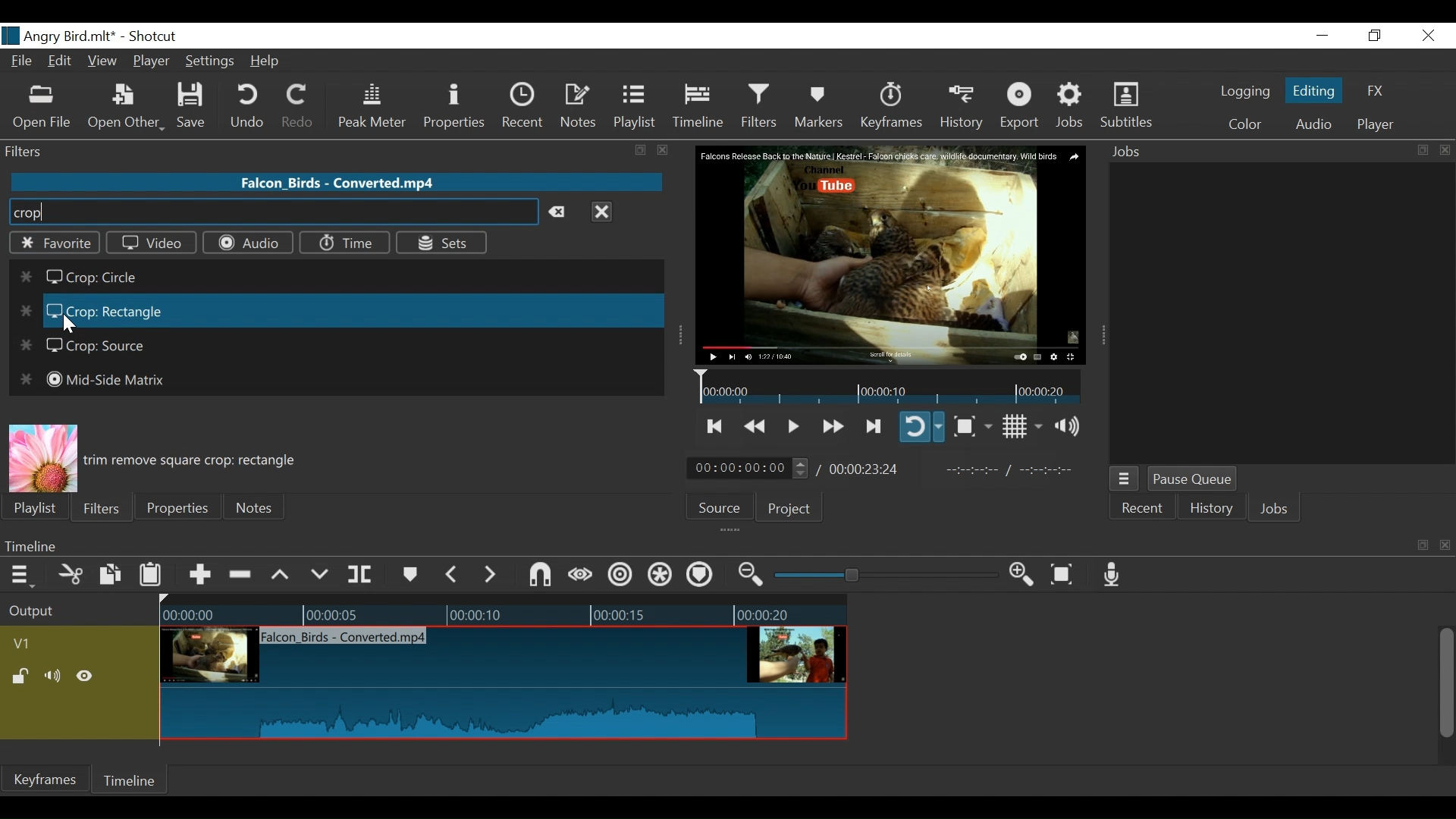 Image resolution: width=1456 pixels, height=819 pixels. What do you see at coordinates (71, 576) in the screenshot?
I see `Cut` at bounding box center [71, 576].